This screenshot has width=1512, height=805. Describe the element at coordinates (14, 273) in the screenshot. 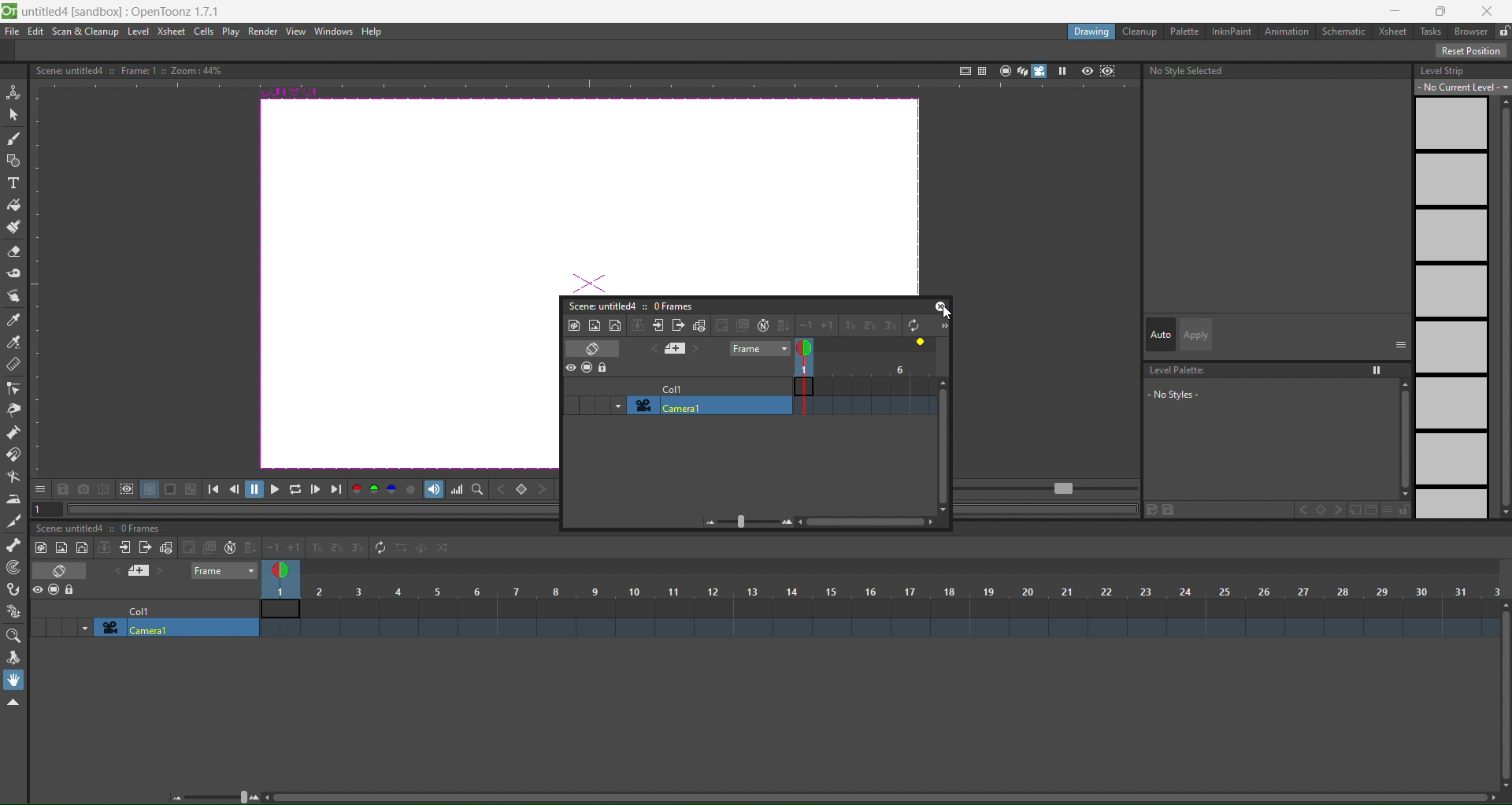

I see `tape tool` at that location.